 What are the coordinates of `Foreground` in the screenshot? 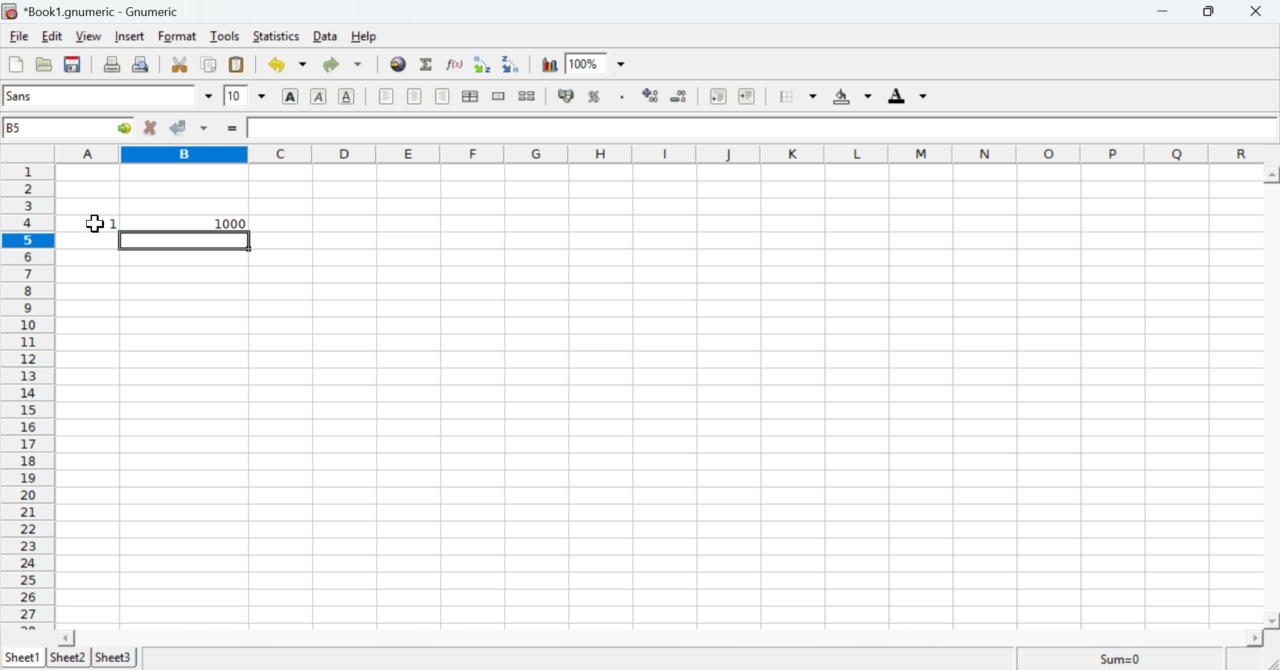 It's located at (911, 96).